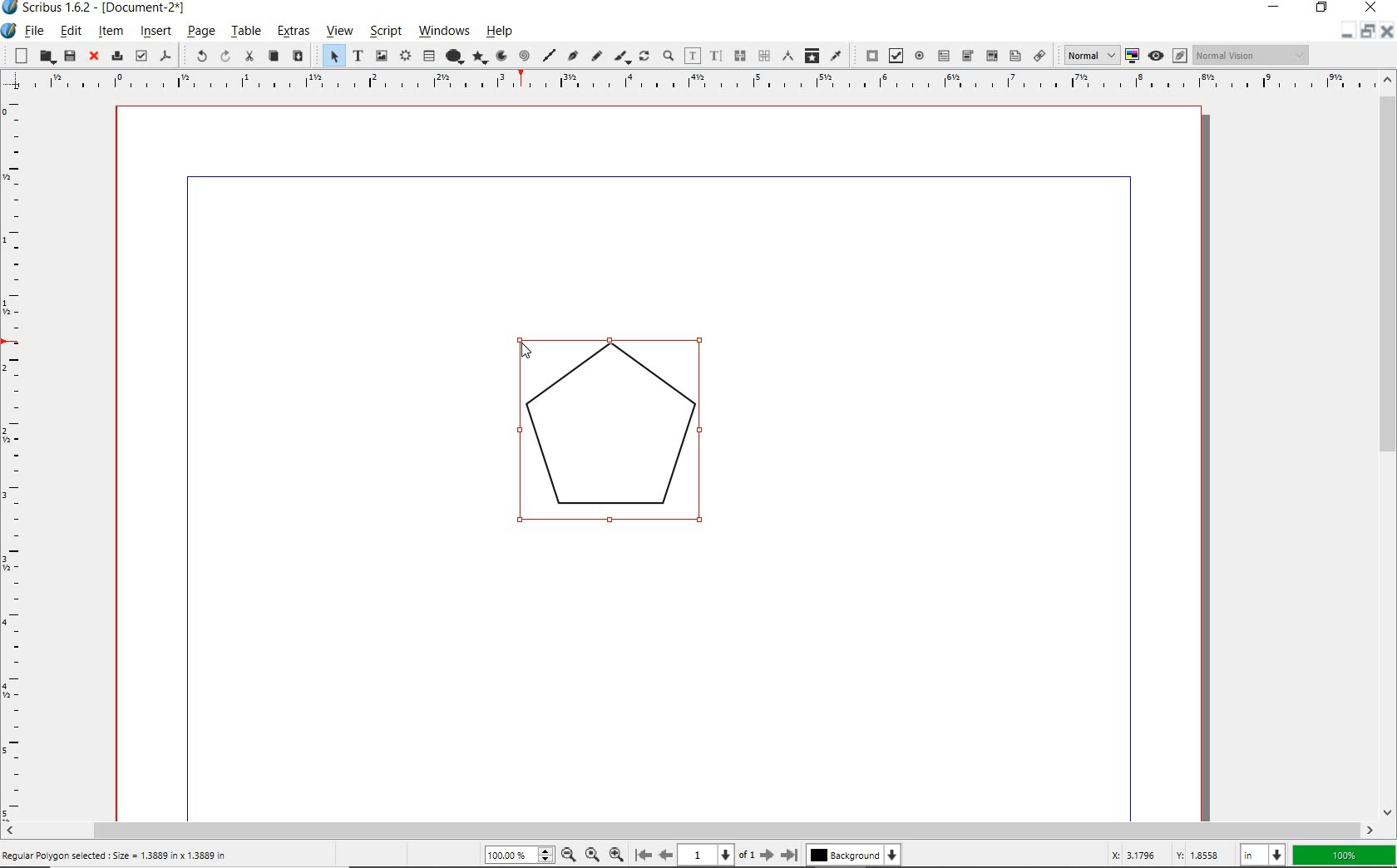 This screenshot has height=868, width=1397. I want to click on copy, so click(274, 56).